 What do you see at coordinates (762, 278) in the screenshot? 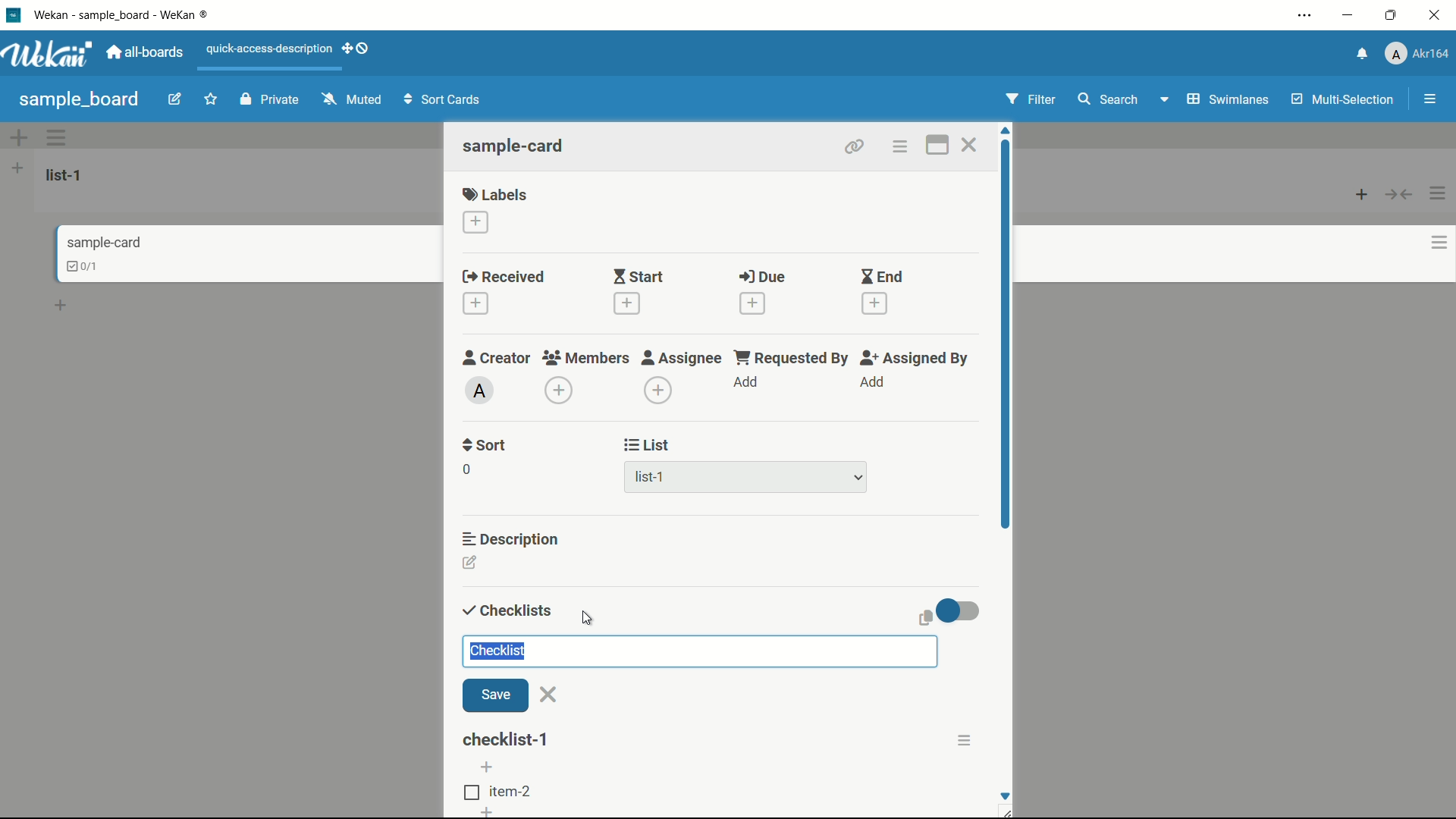
I see `due` at bounding box center [762, 278].